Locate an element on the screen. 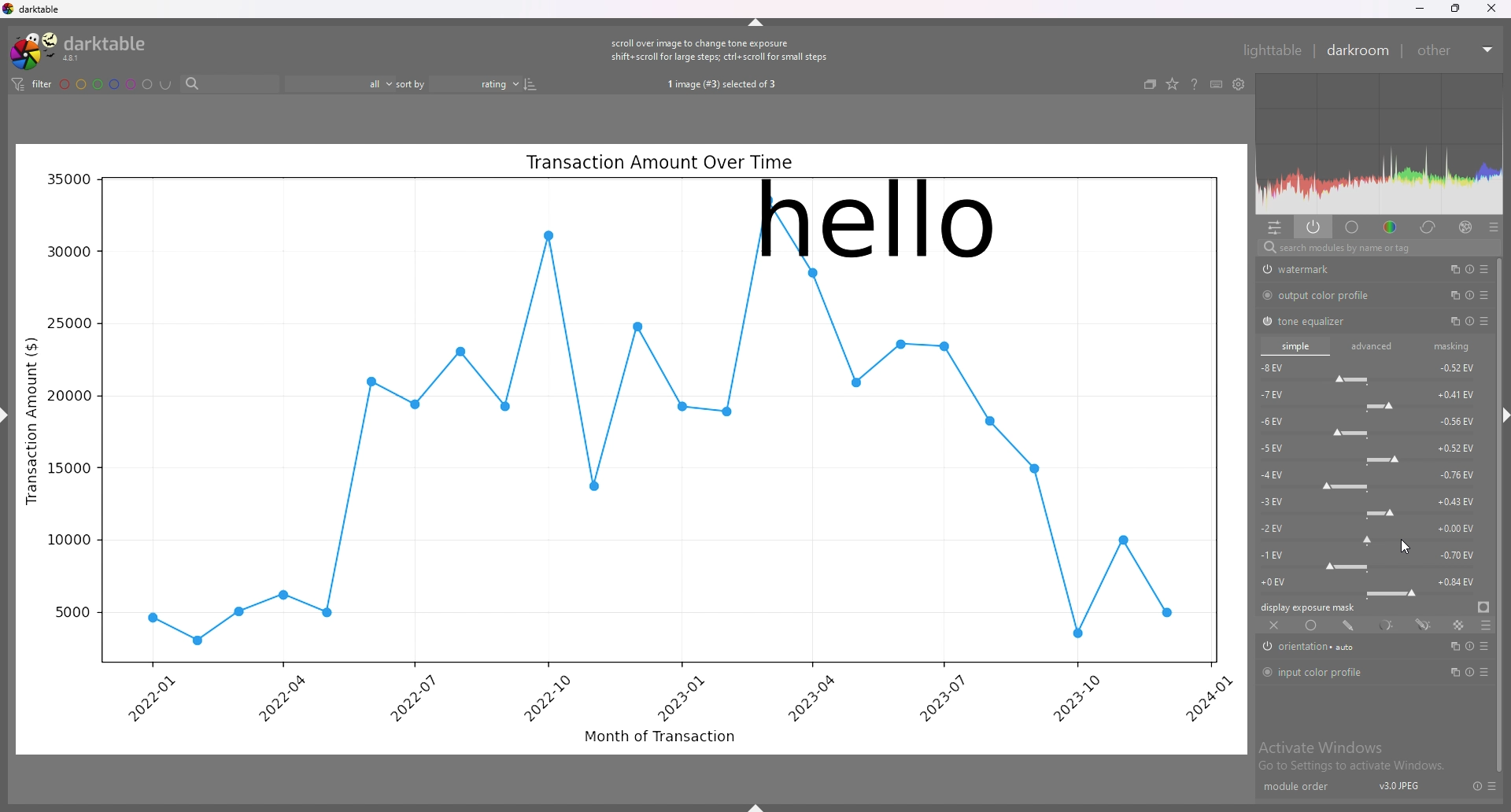  -5 EV force is located at coordinates (1372, 452).